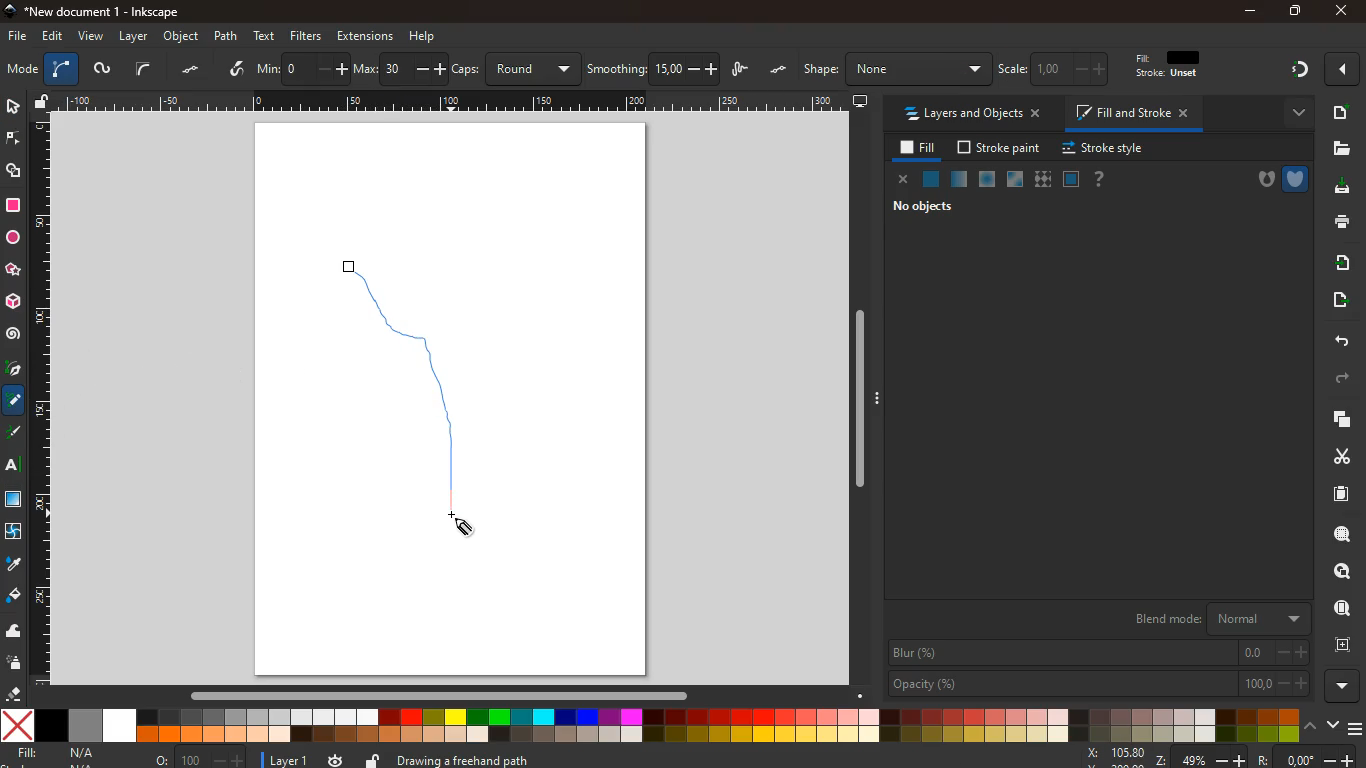  I want to click on view, so click(90, 37).